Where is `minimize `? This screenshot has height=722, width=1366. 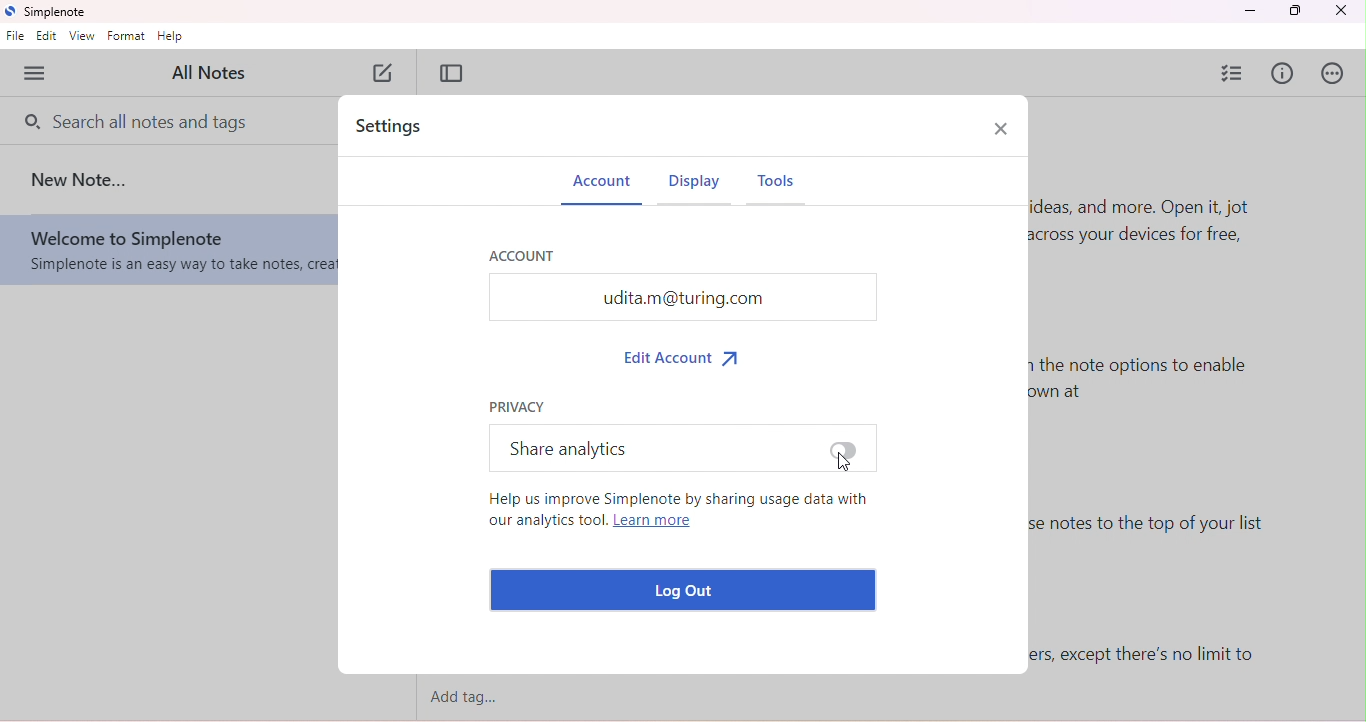 minimize  is located at coordinates (1249, 11).